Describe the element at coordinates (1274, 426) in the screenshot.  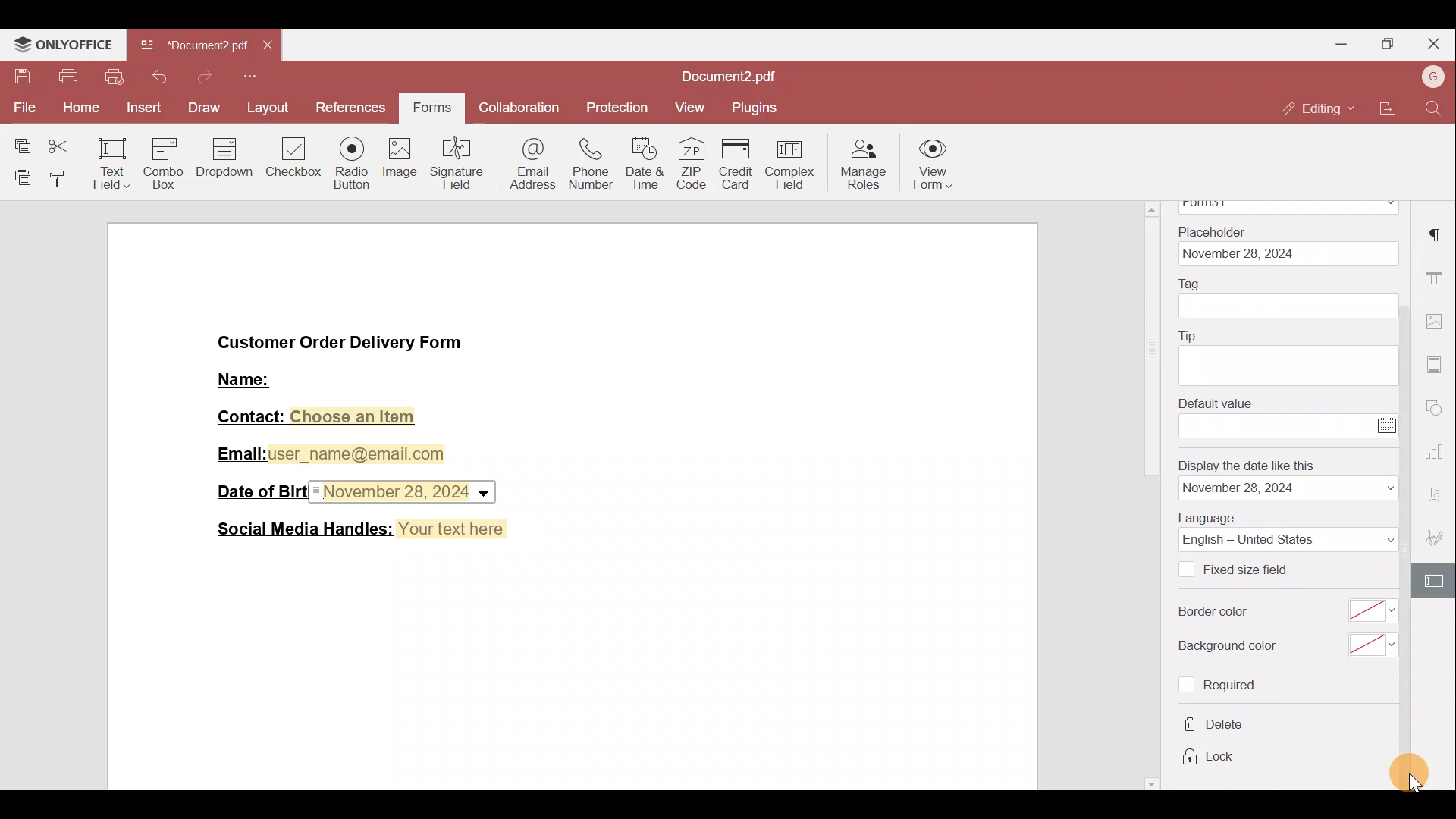
I see `enter value` at that location.